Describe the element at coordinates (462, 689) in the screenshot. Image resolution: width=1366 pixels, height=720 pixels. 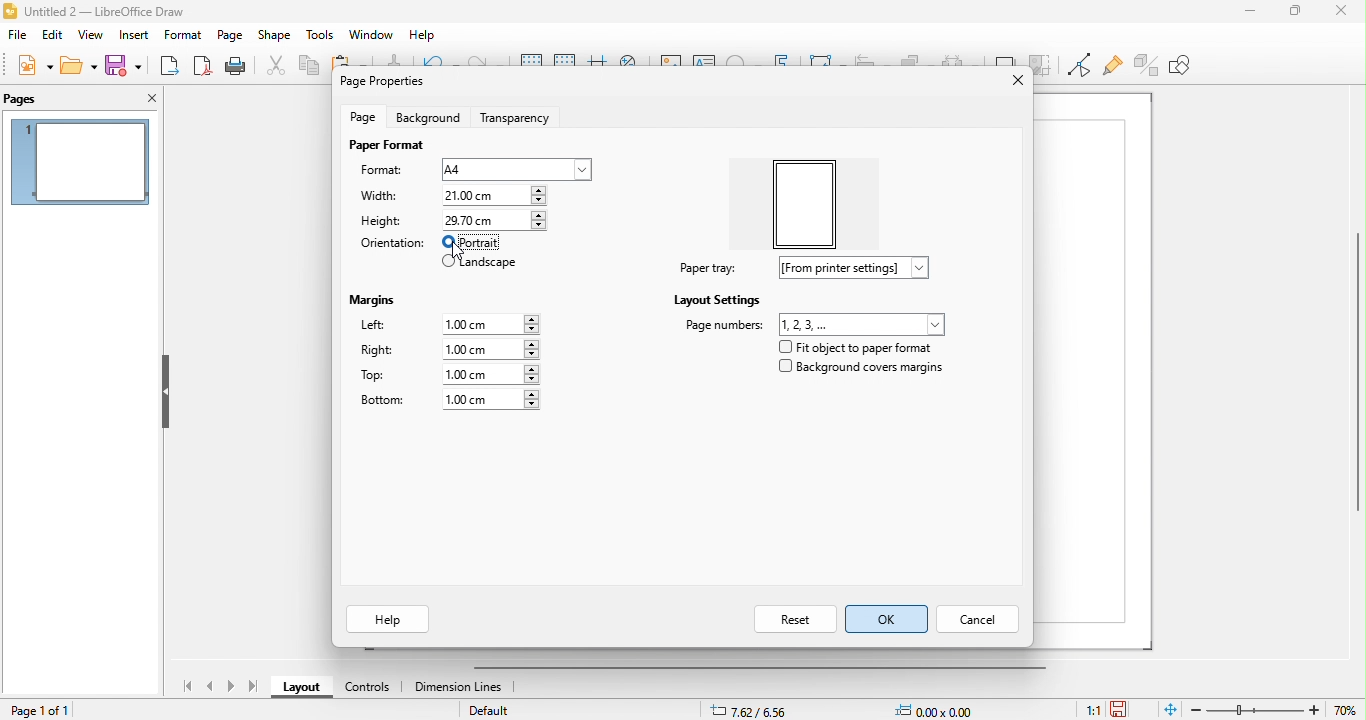
I see `dimension lines` at that location.